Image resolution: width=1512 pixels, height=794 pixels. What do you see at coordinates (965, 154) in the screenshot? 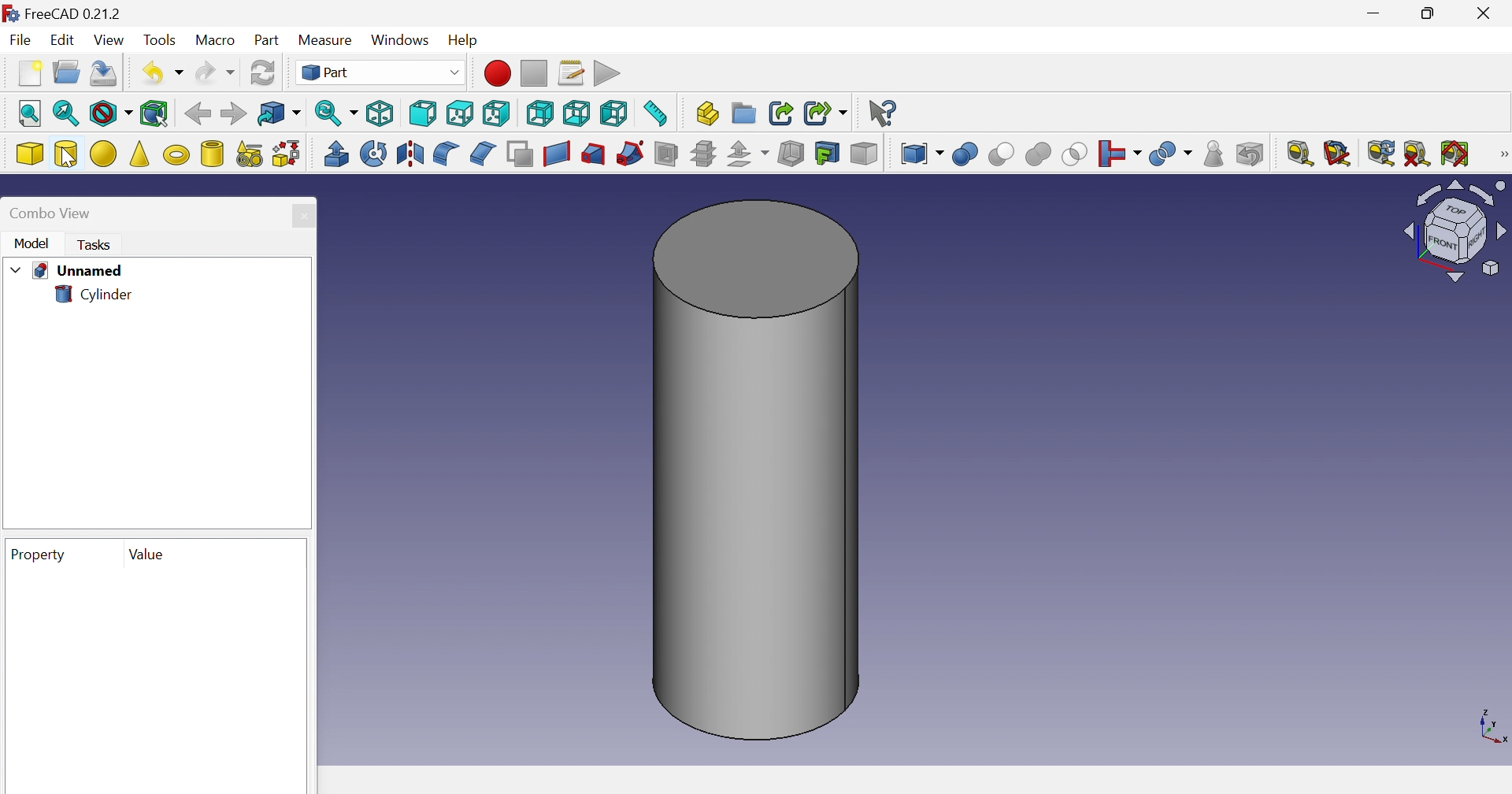
I see `Boolean` at bounding box center [965, 154].